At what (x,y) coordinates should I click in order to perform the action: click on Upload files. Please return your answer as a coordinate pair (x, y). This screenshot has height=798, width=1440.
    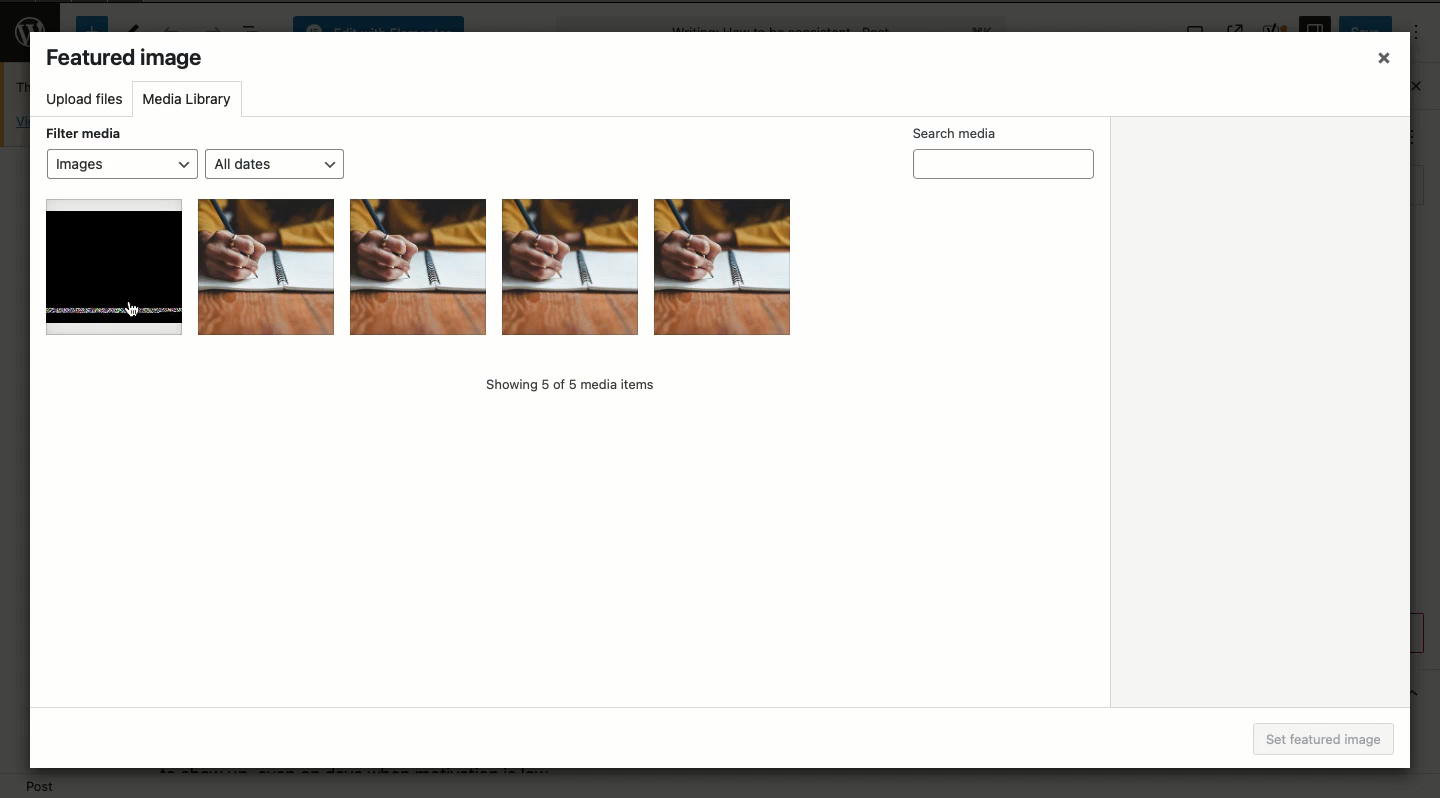
    Looking at the image, I should click on (81, 101).